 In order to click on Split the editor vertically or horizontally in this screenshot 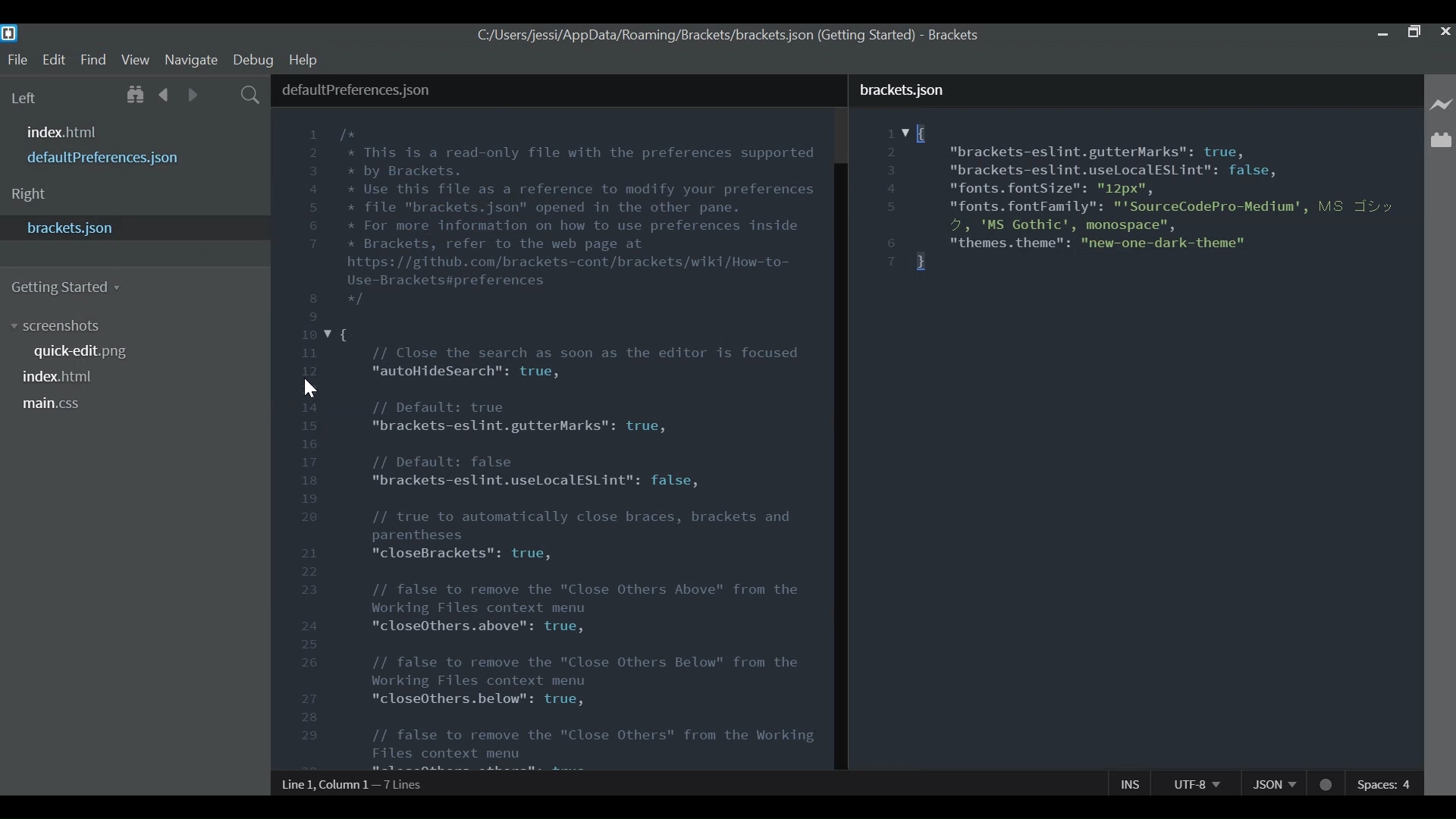, I will do `click(221, 96)`.